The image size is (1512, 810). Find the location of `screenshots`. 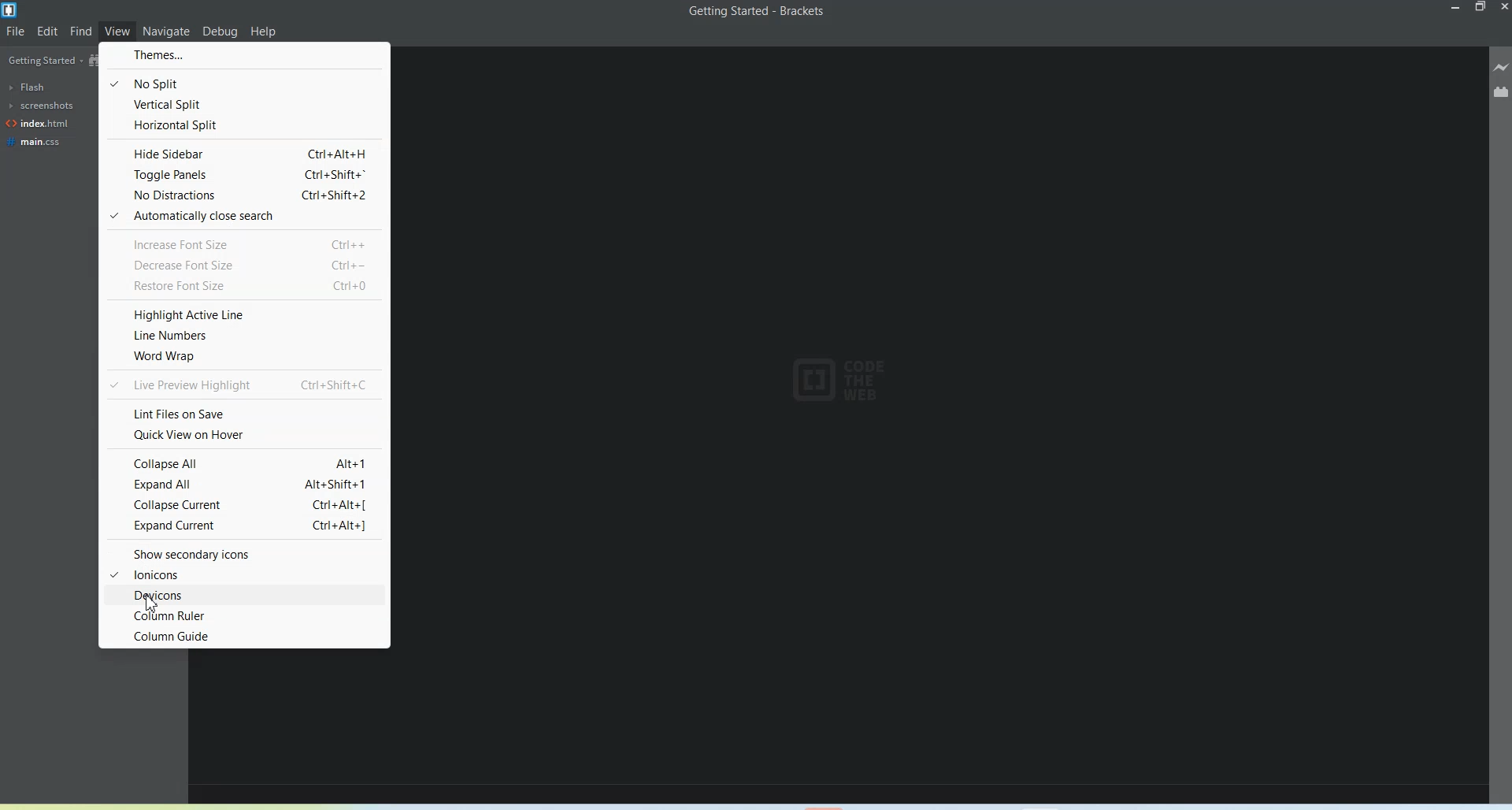

screenshots is located at coordinates (39, 106).